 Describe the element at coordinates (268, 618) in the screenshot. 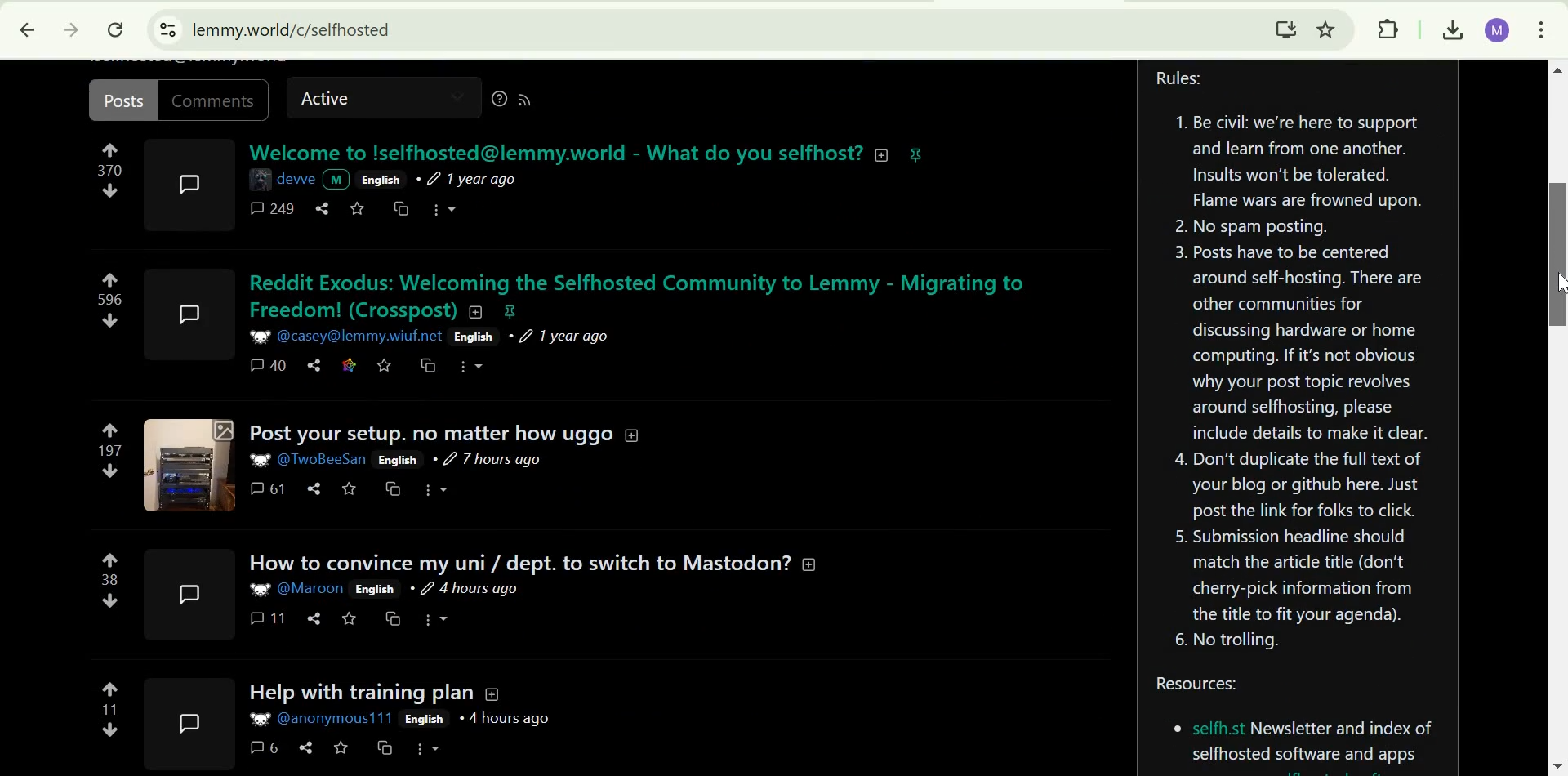

I see `11 comments` at that location.